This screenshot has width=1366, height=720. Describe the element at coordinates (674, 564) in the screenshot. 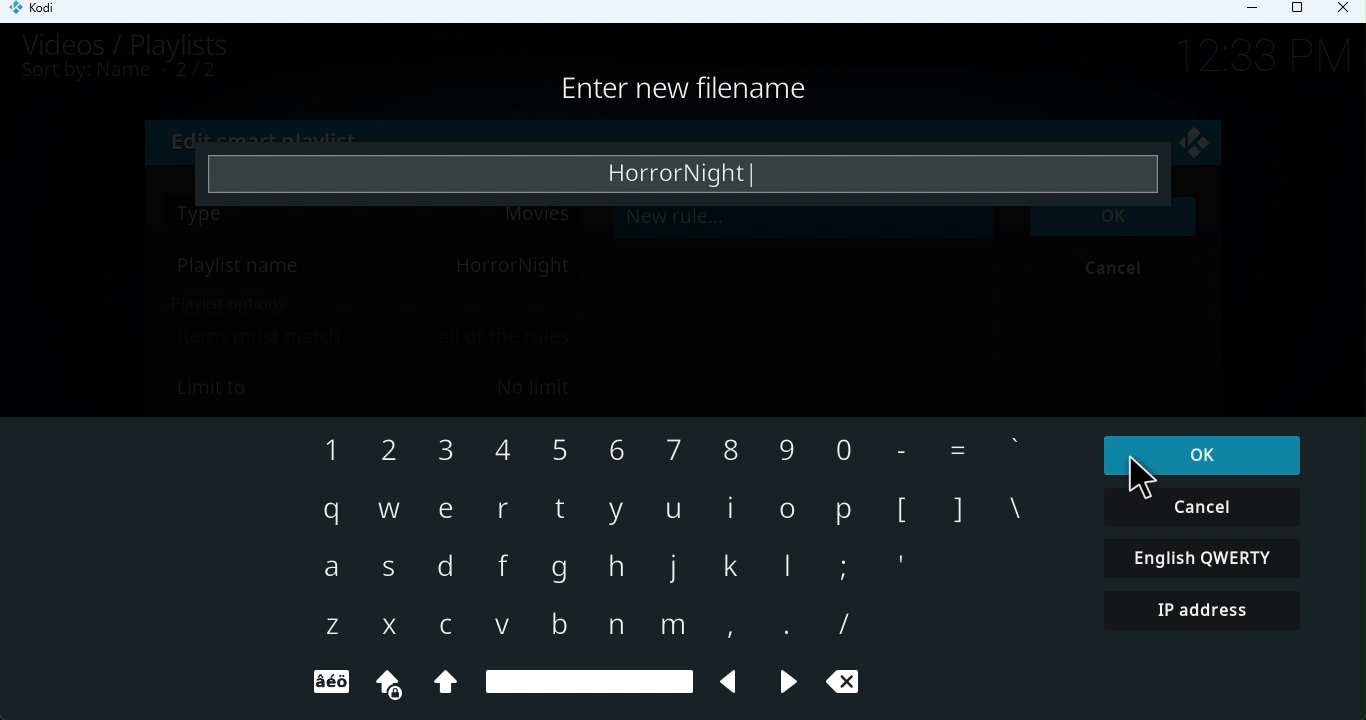

I see `Keyboard` at that location.